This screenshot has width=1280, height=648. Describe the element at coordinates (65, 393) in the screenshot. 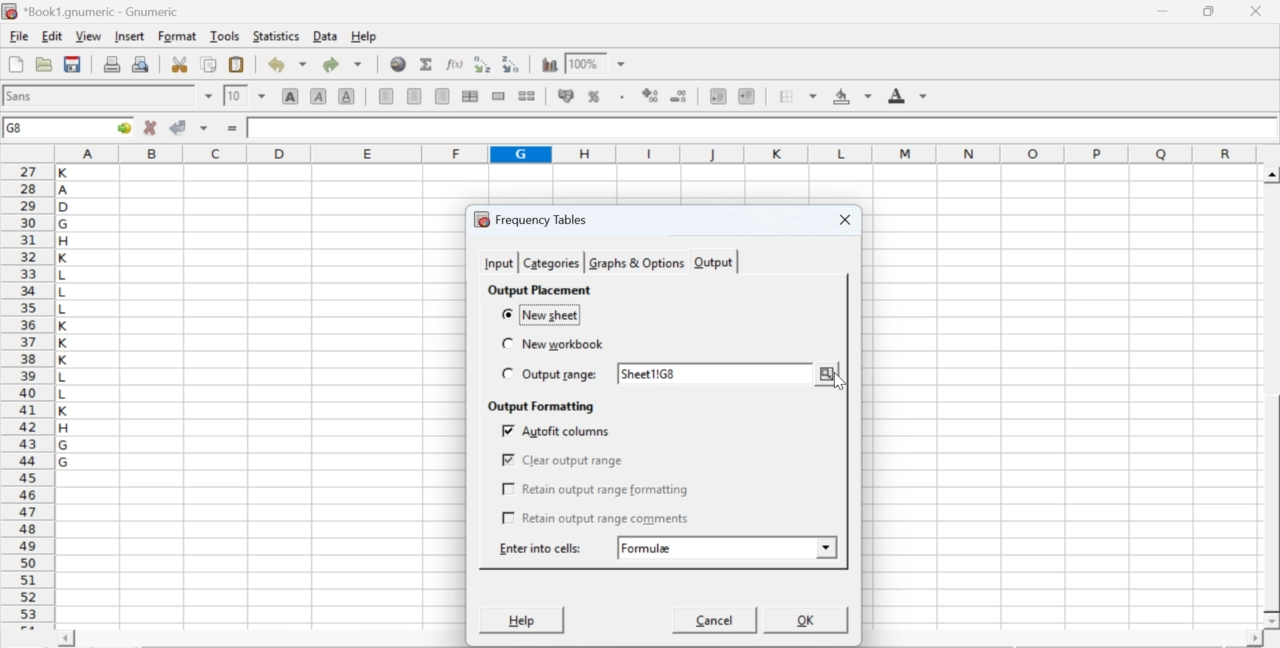

I see `alphabets` at that location.